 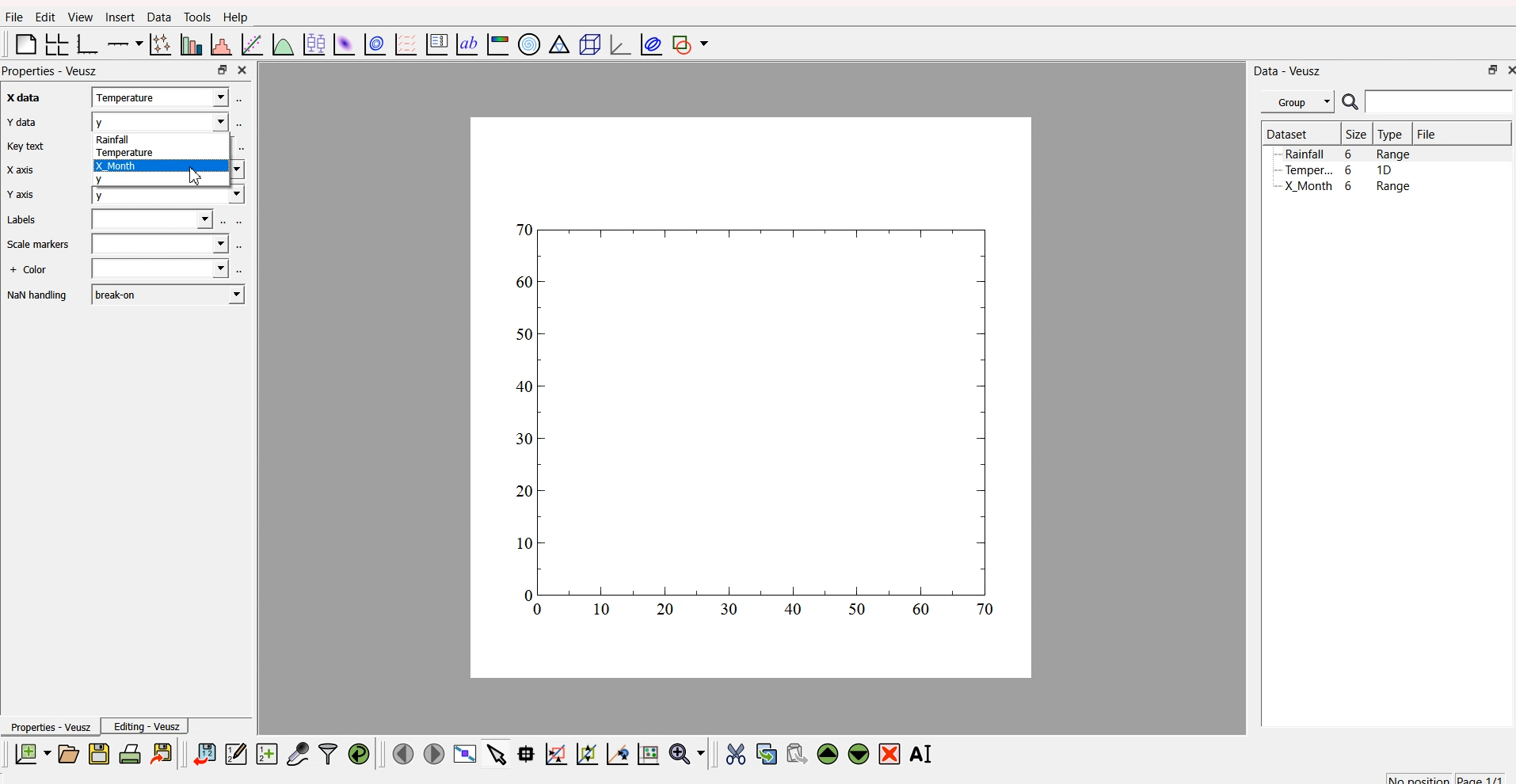 I want to click on read datapoint on graph, so click(x=524, y=753).